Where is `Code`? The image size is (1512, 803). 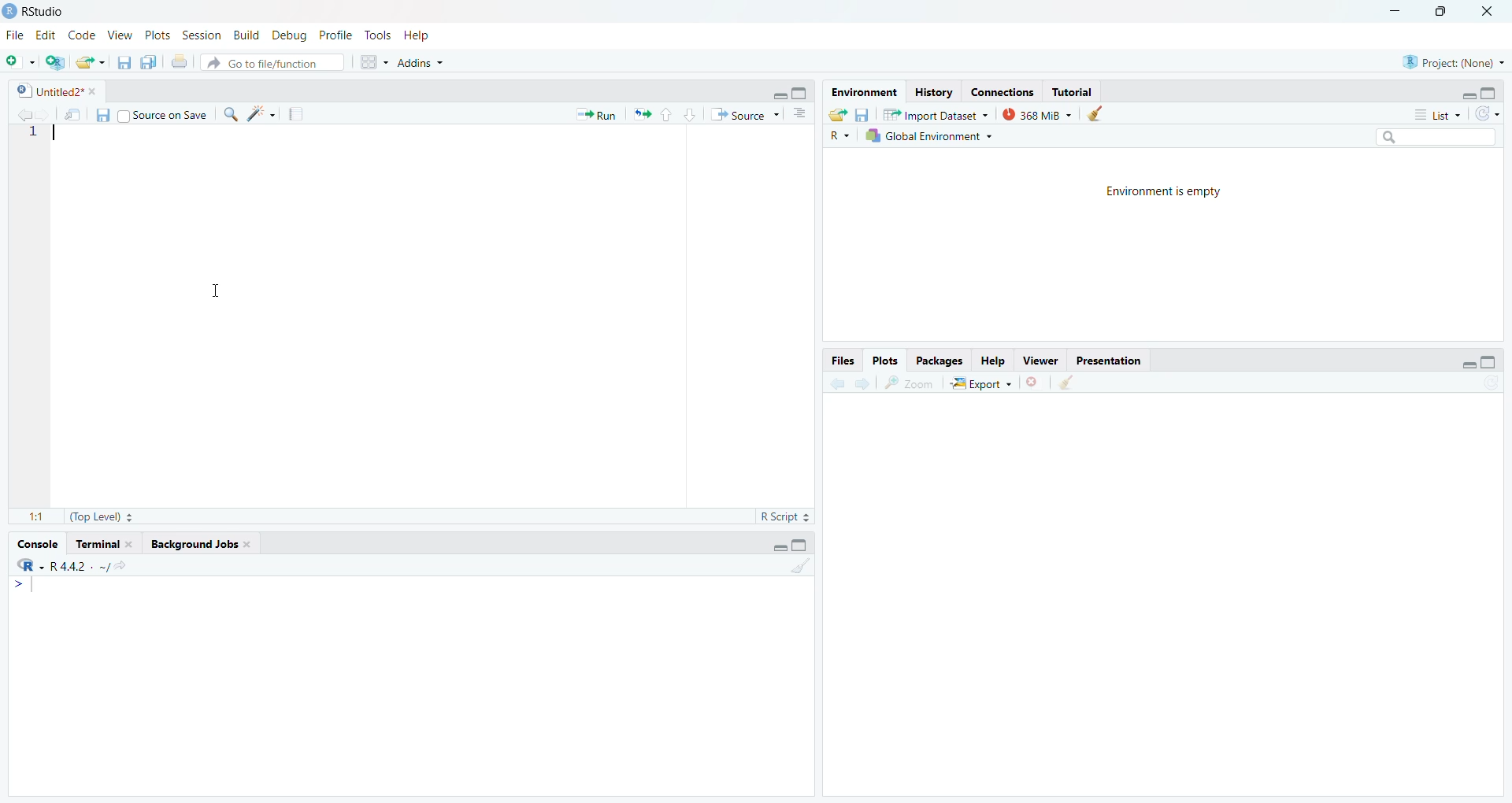
Code is located at coordinates (83, 36).